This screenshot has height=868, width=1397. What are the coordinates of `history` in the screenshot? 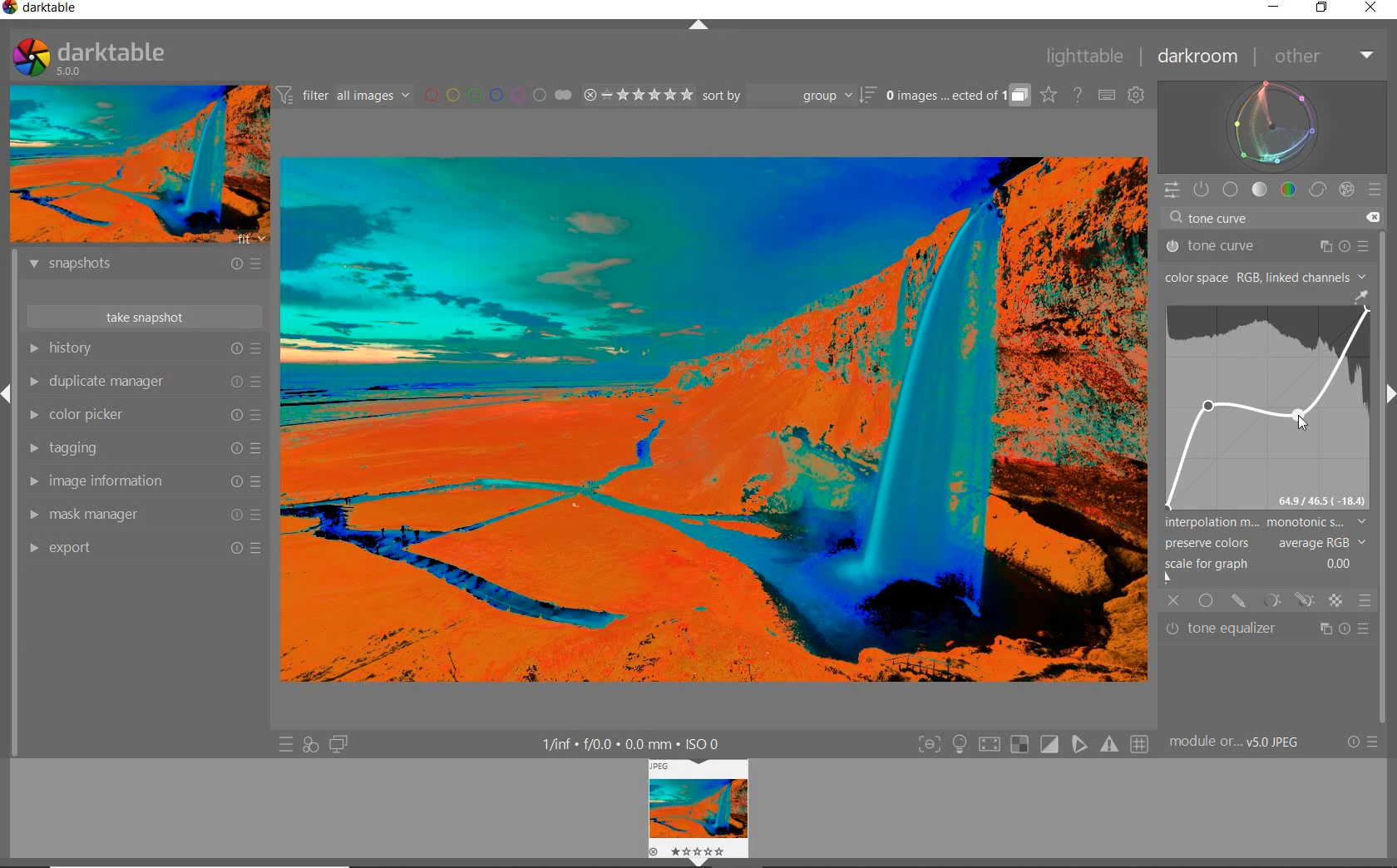 It's located at (144, 348).